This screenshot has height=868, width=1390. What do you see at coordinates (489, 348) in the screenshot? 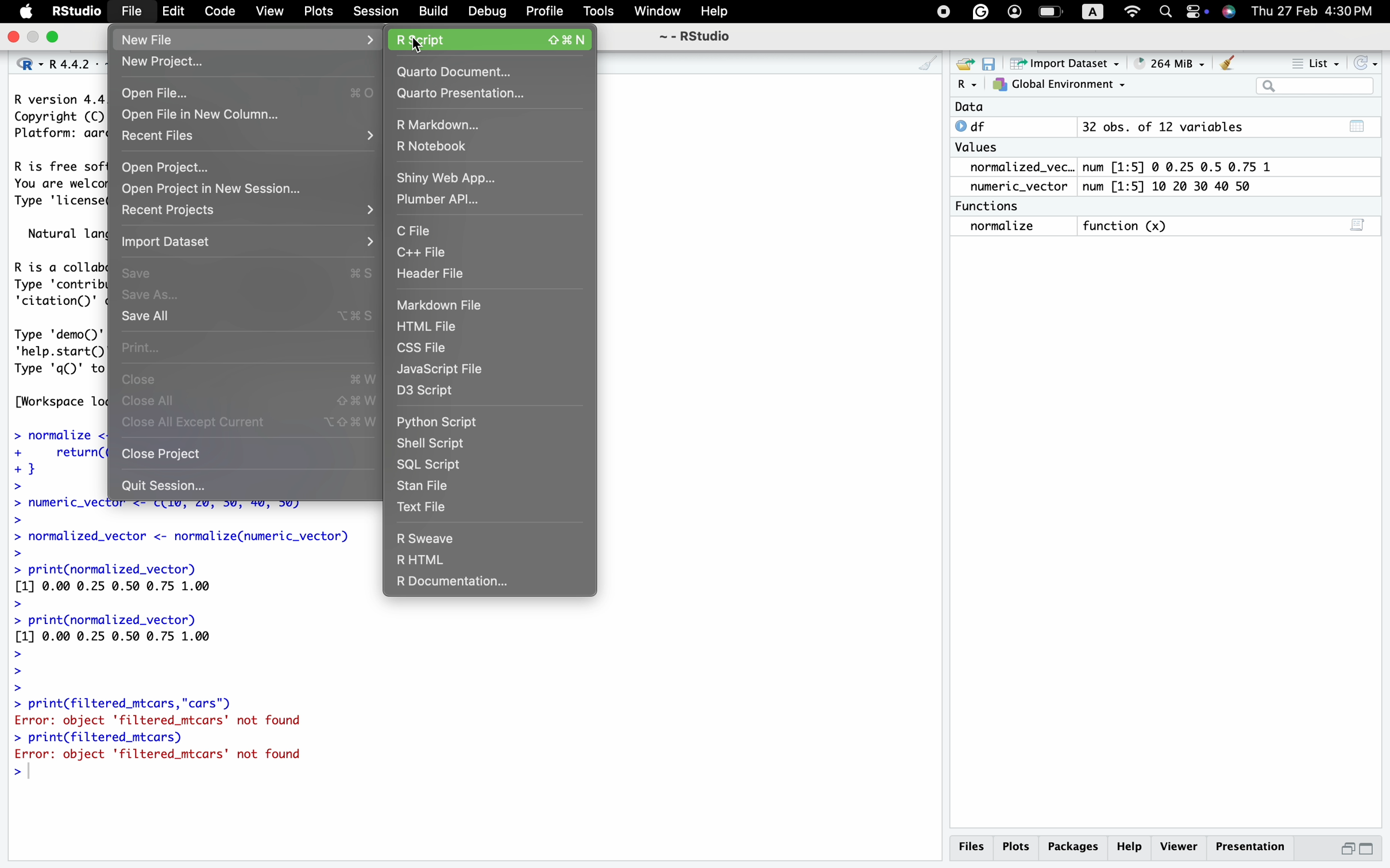
I see `CSS file` at bounding box center [489, 348].